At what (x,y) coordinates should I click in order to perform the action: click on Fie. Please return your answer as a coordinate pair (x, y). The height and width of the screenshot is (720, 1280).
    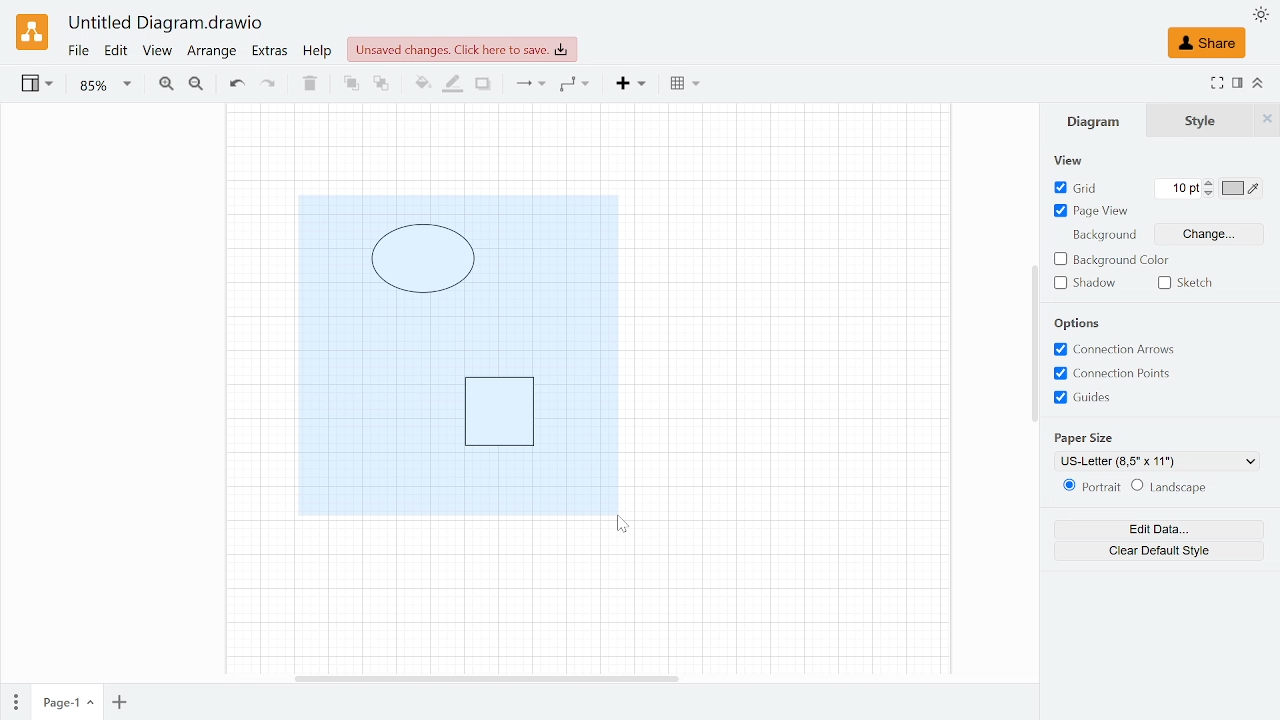
    Looking at the image, I should click on (78, 52).